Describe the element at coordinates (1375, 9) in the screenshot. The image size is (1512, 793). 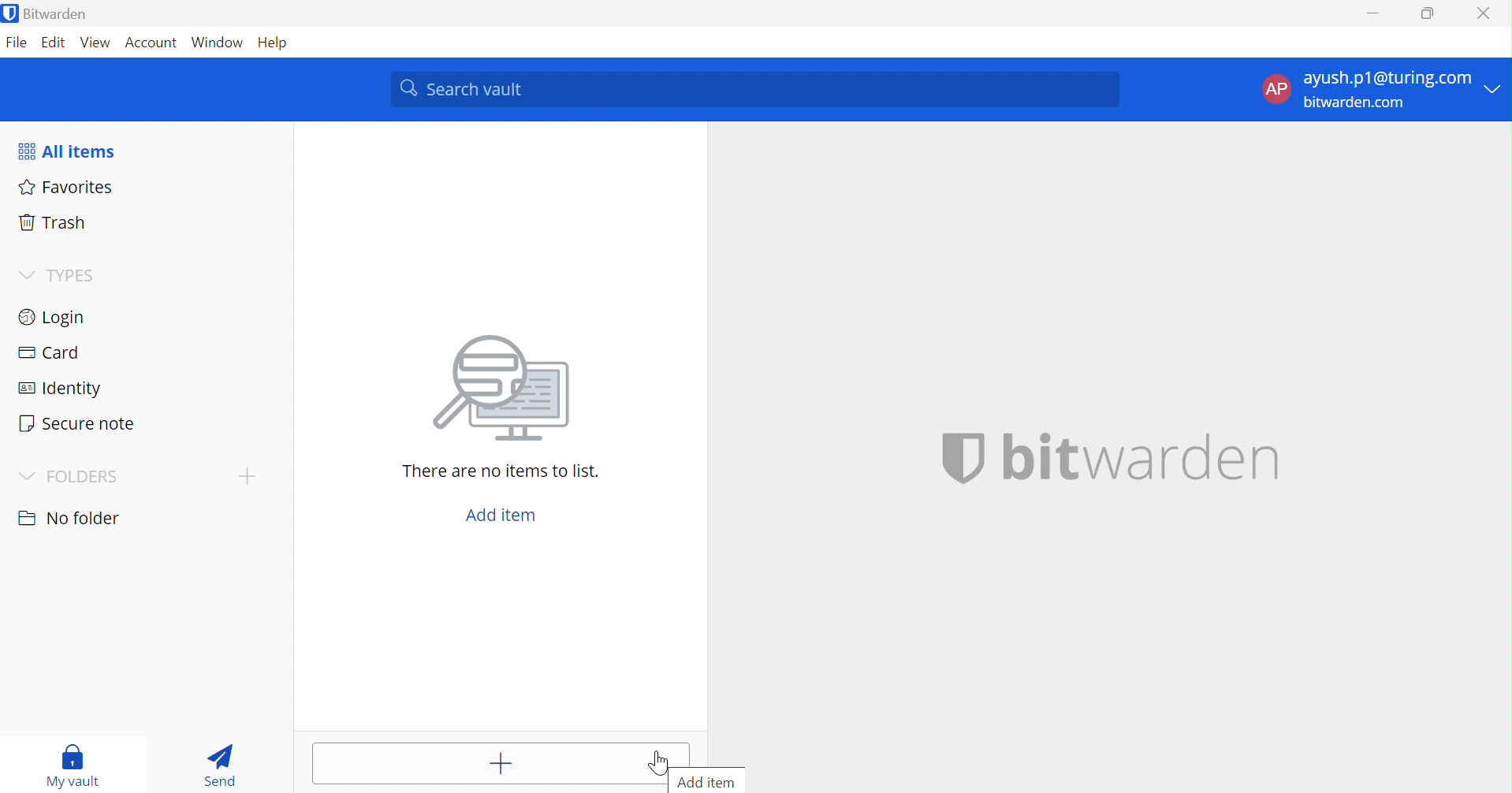
I see `Minimize` at that location.